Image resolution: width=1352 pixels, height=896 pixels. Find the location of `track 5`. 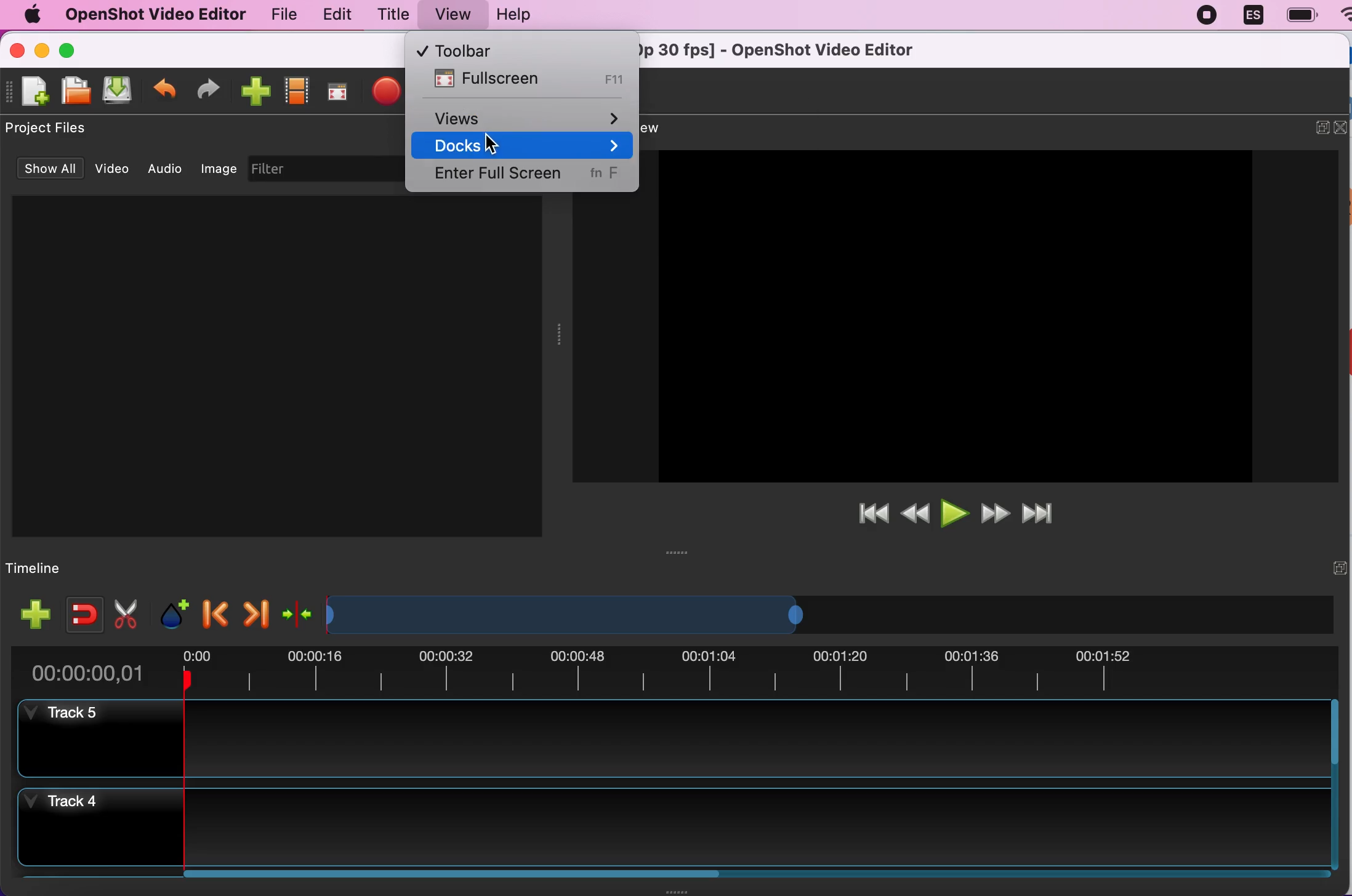

track 5 is located at coordinates (671, 739).